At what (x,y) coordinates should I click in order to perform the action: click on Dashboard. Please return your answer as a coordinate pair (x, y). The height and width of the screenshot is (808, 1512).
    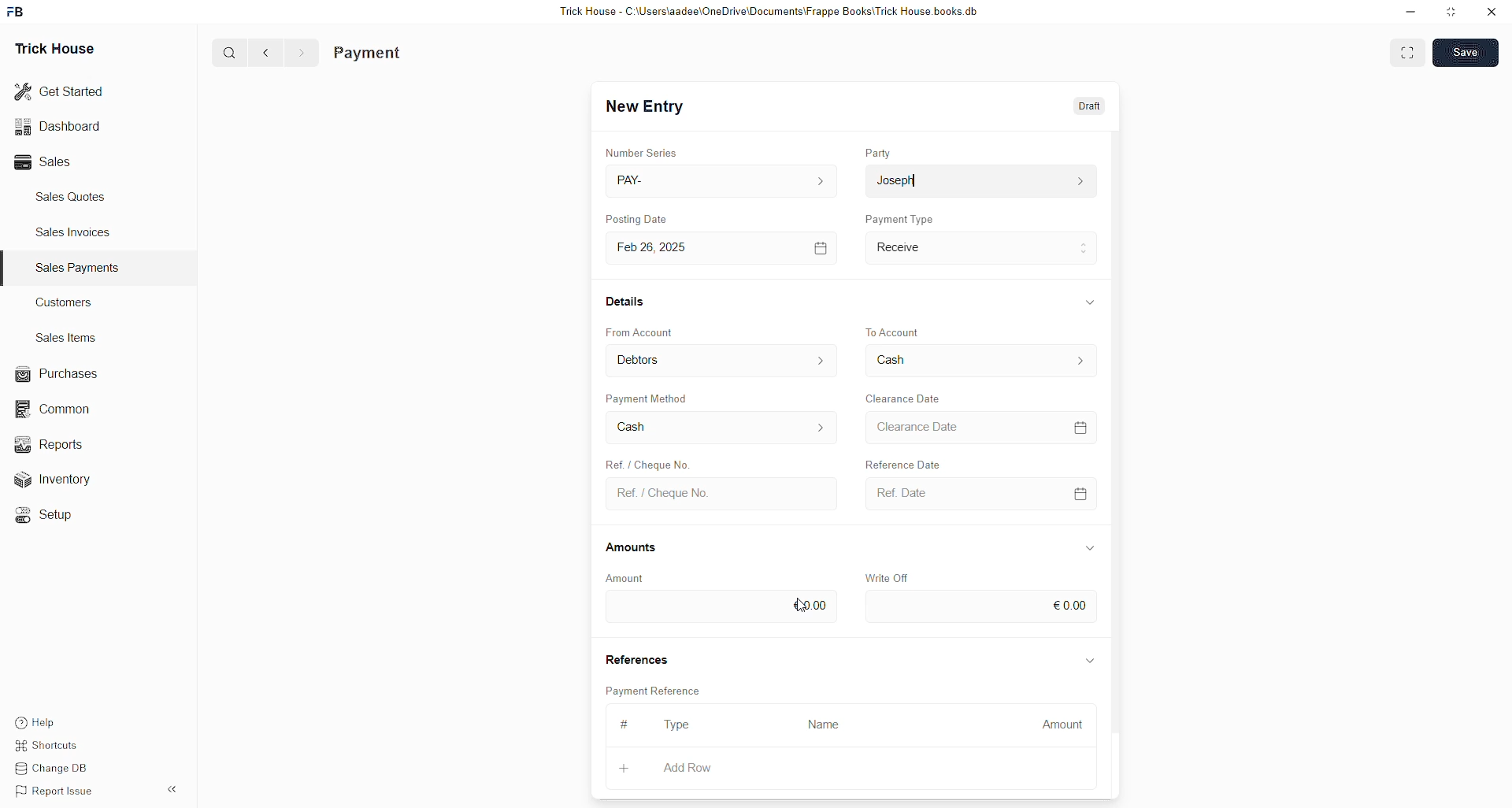
    Looking at the image, I should click on (57, 129).